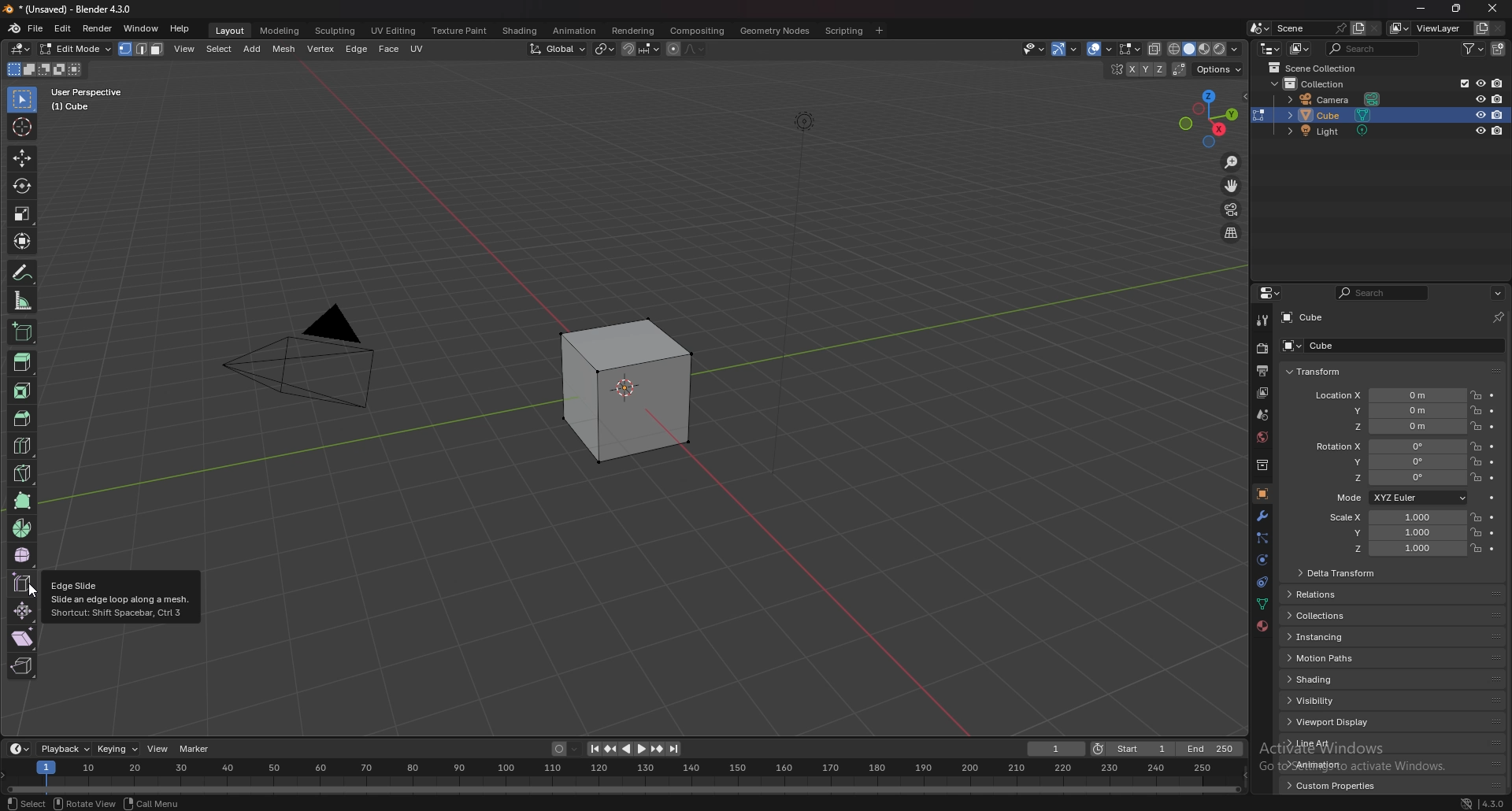 The width and height of the screenshot is (1512, 811). I want to click on viewlayer, so click(1427, 28).